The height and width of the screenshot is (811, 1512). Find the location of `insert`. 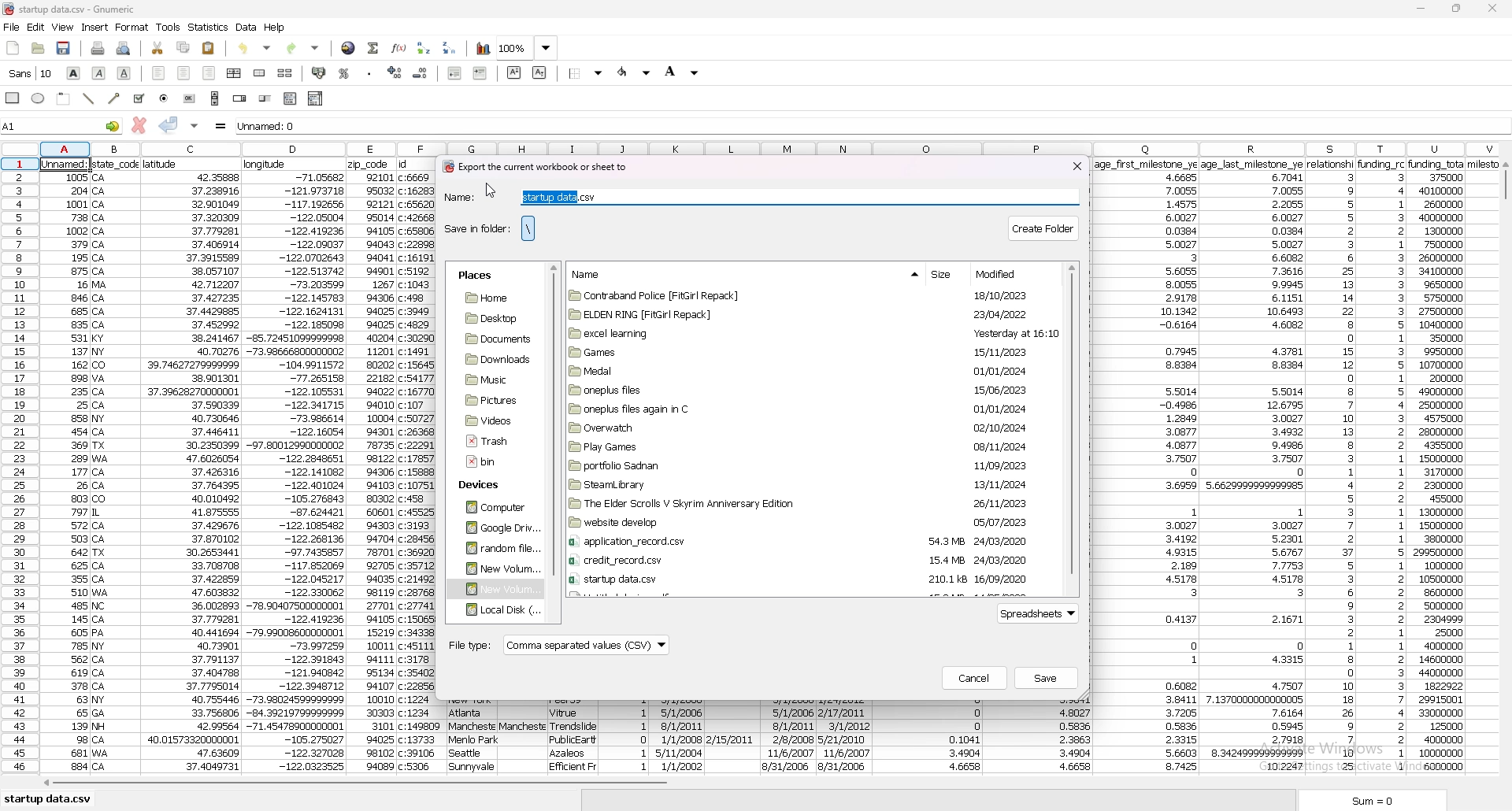

insert is located at coordinates (94, 28).